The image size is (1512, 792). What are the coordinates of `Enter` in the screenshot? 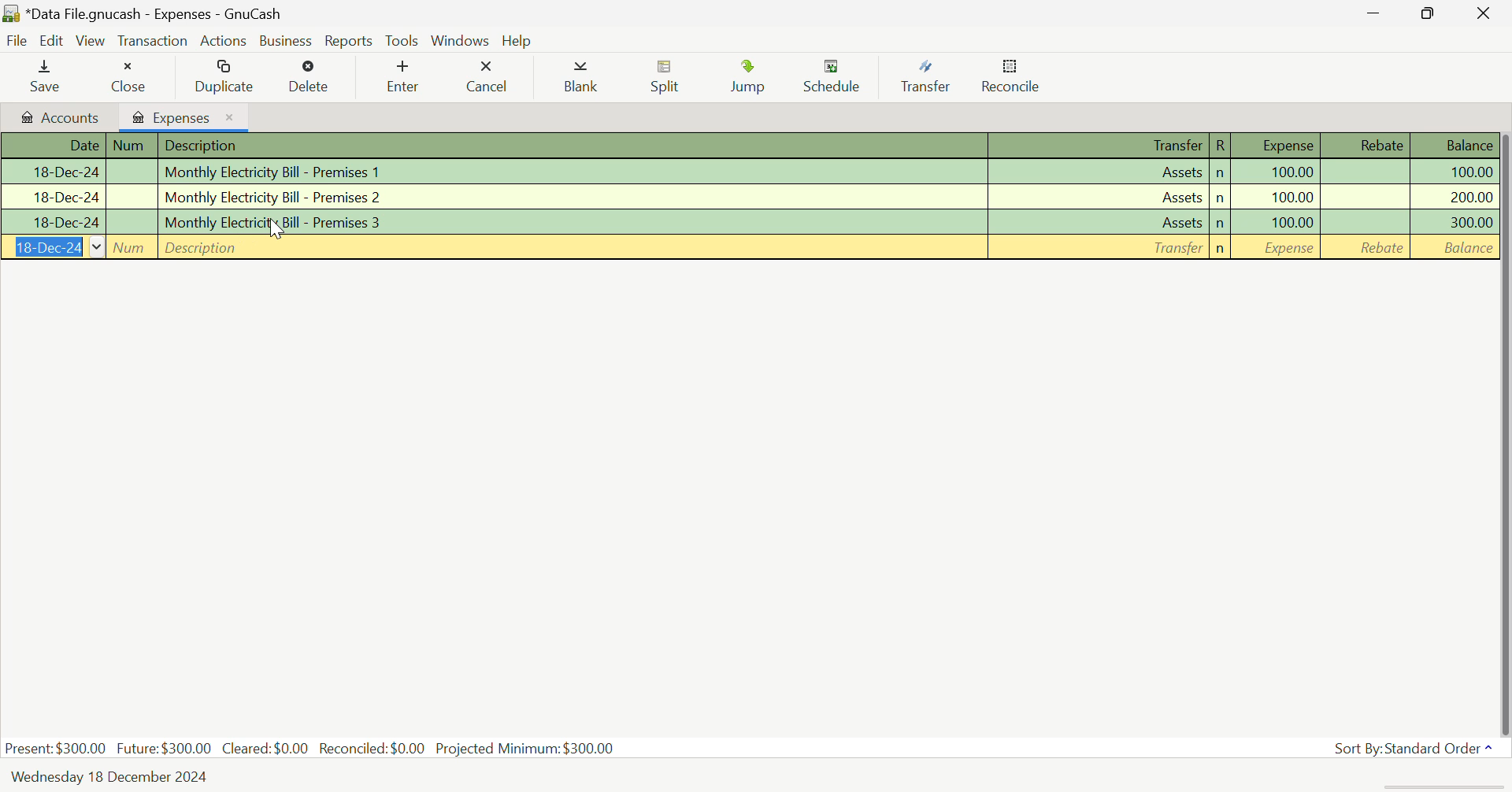 It's located at (407, 76).